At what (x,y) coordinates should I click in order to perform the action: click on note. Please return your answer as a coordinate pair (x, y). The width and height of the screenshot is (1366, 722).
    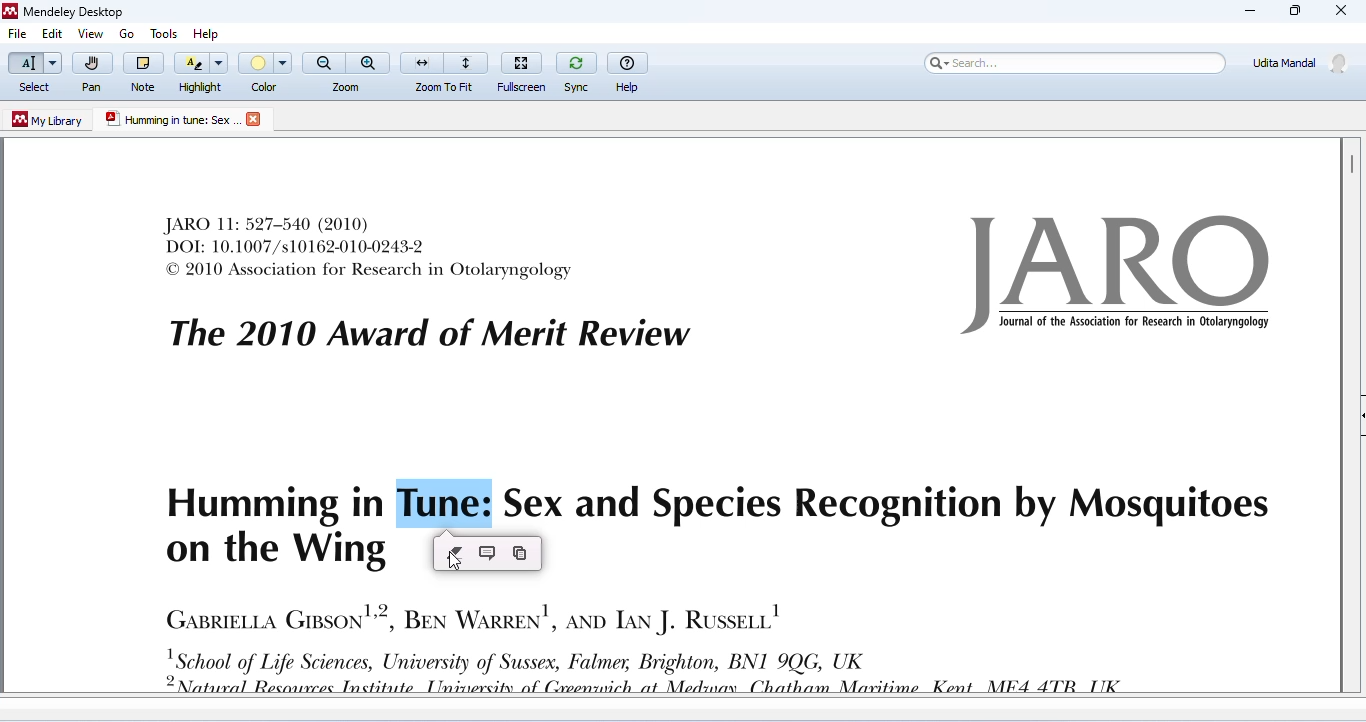
    Looking at the image, I should click on (143, 71).